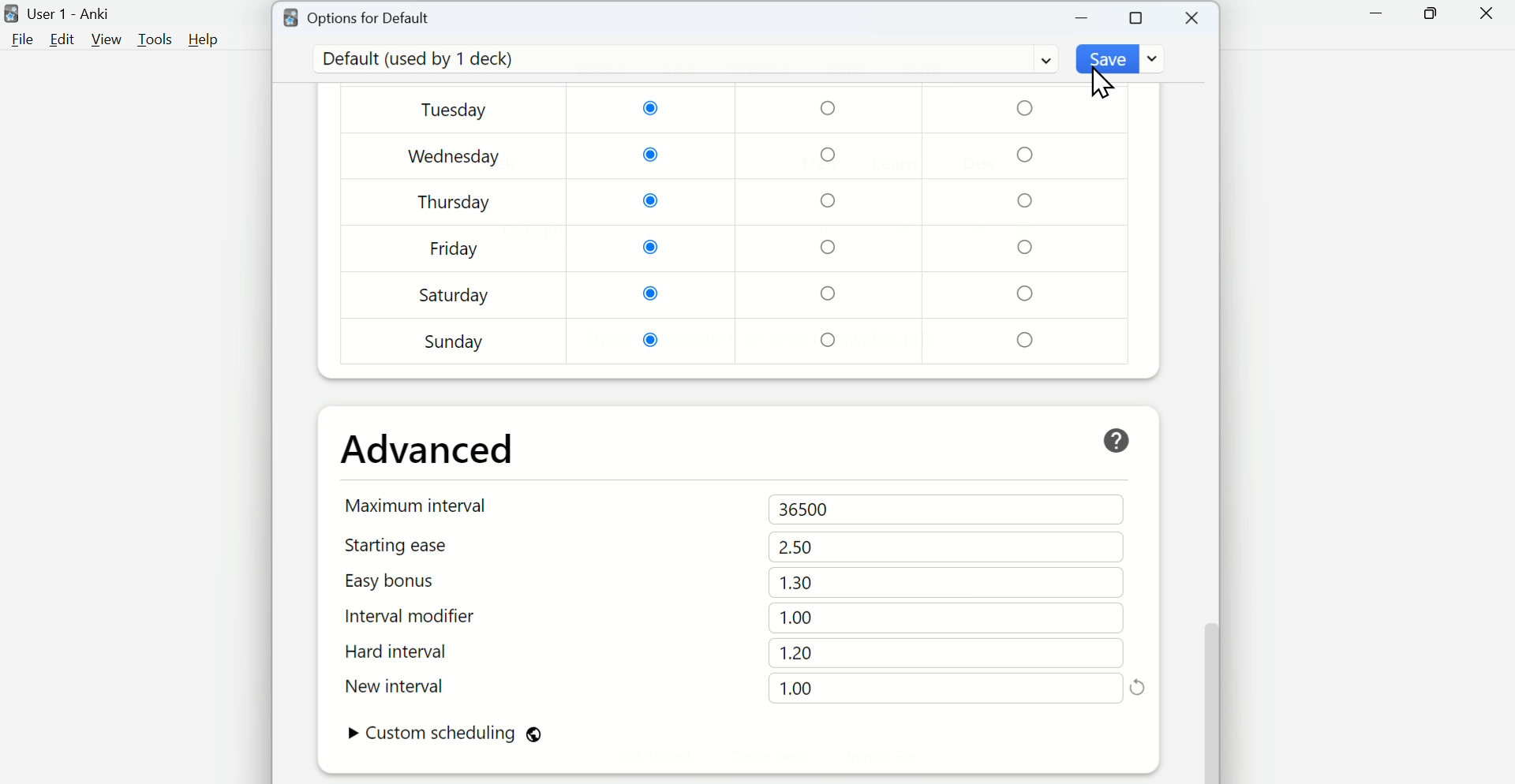 This screenshot has height=784, width=1515. What do you see at coordinates (457, 111) in the screenshot?
I see `Tuesday` at bounding box center [457, 111].